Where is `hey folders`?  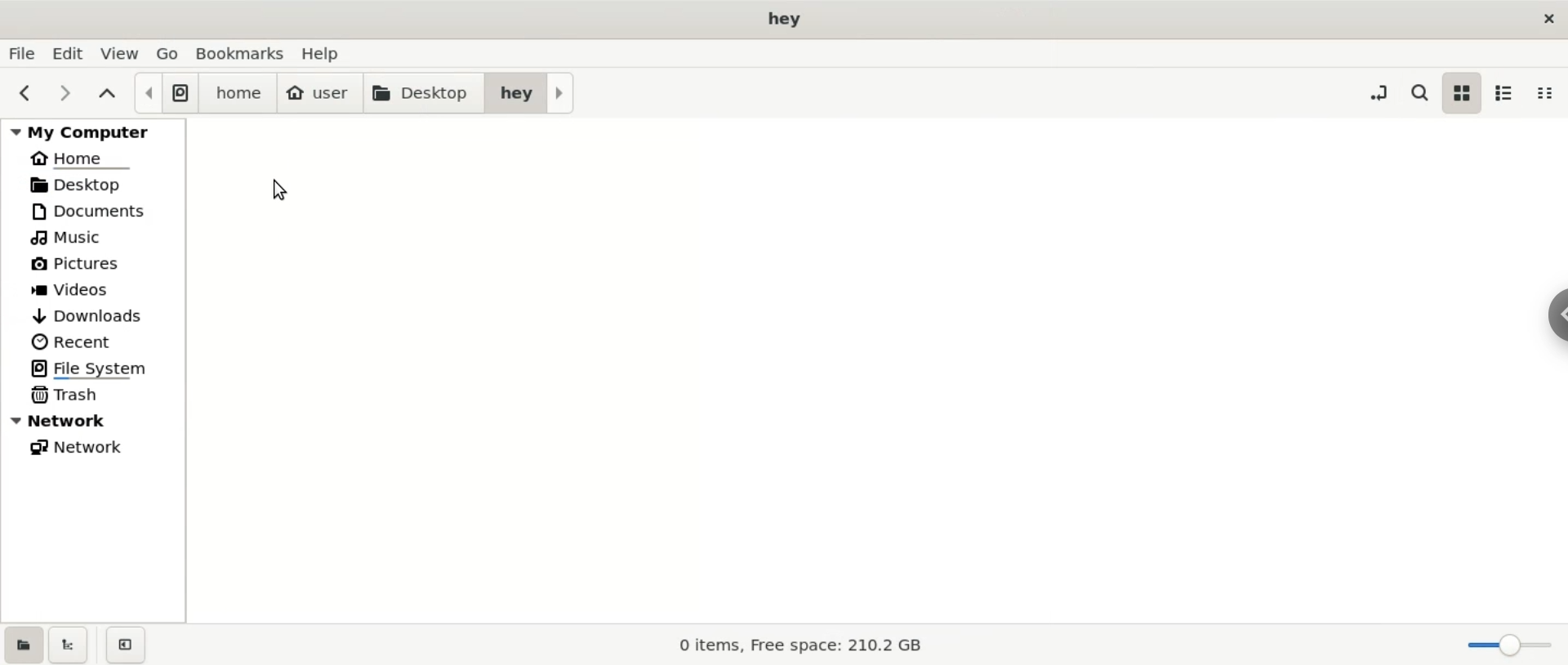 hey folders is located at coordinates (530, 92).